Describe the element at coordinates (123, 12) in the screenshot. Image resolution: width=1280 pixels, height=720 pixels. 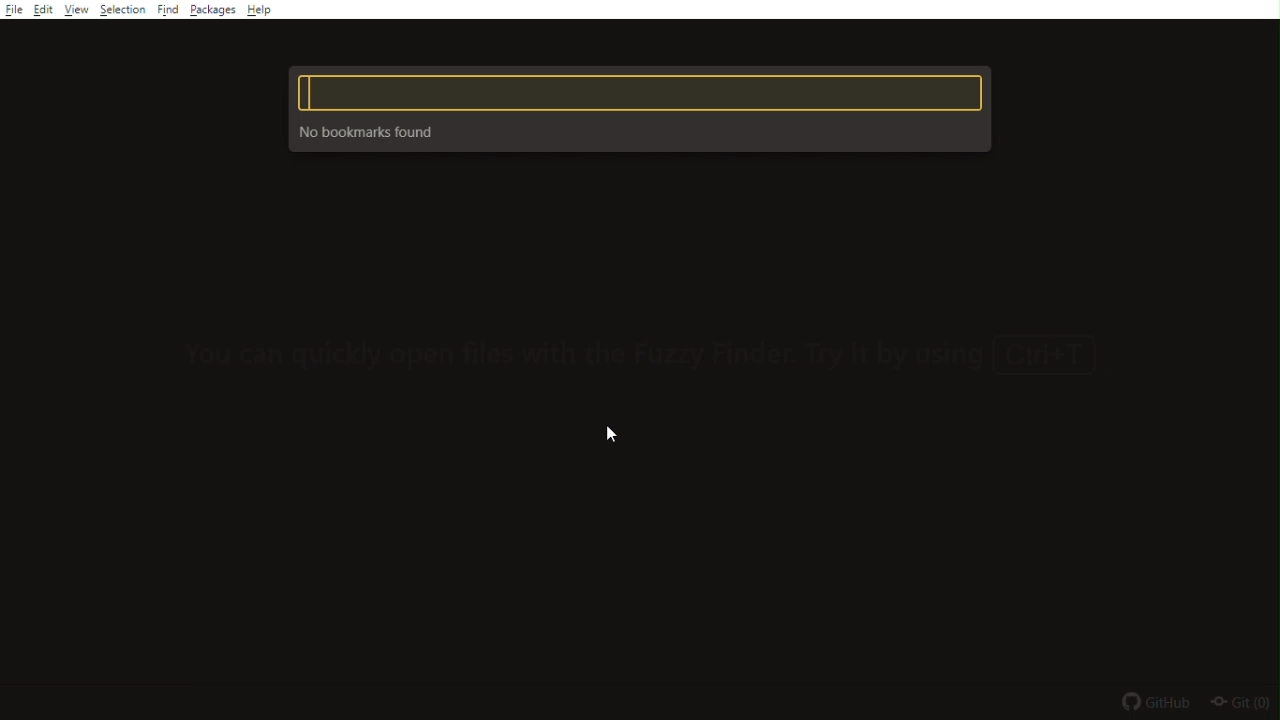
I see `Selection` at that location.